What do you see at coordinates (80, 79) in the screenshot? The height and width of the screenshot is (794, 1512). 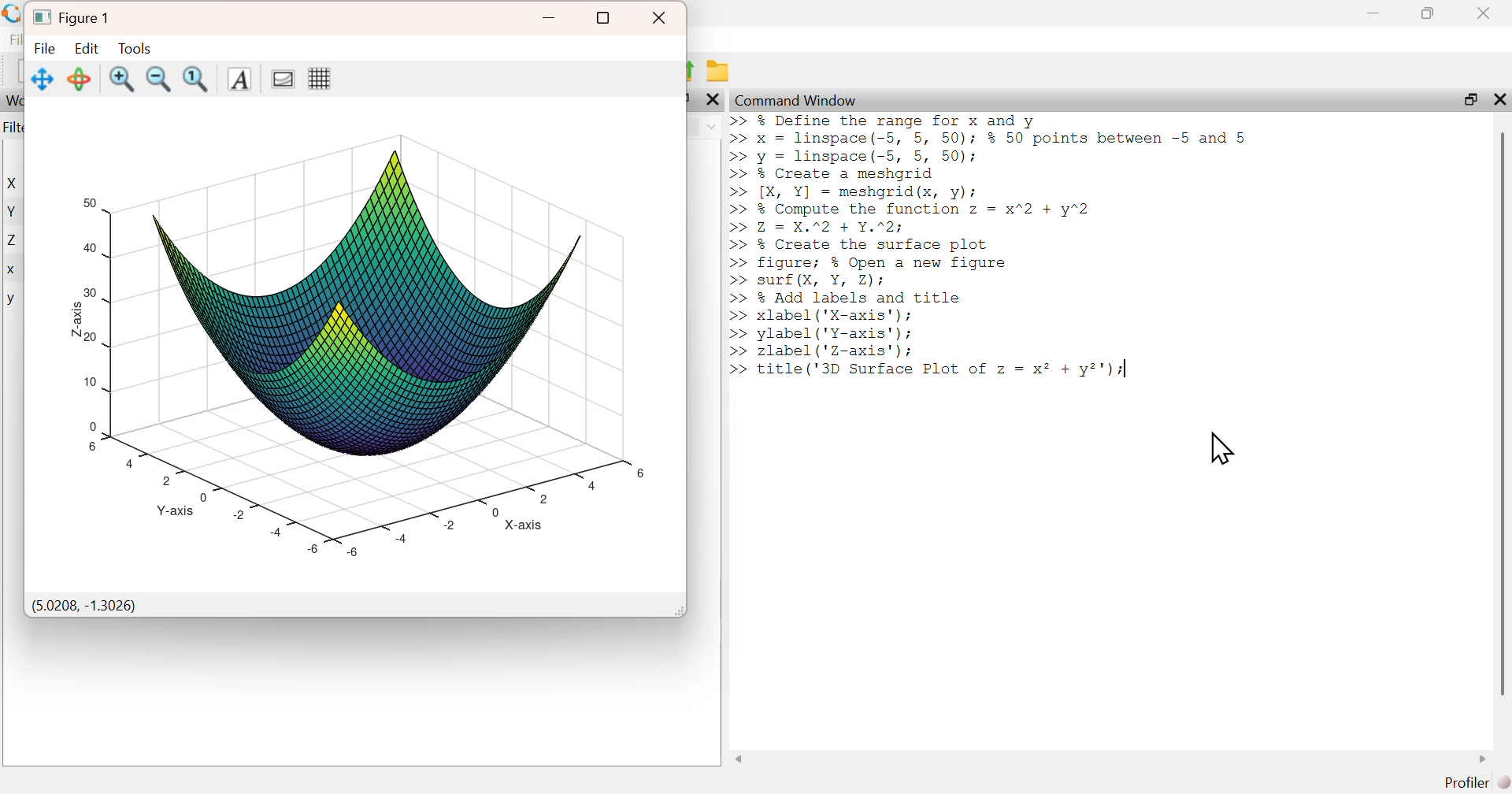 I see `Rotate` at bounding box center [80, 79].